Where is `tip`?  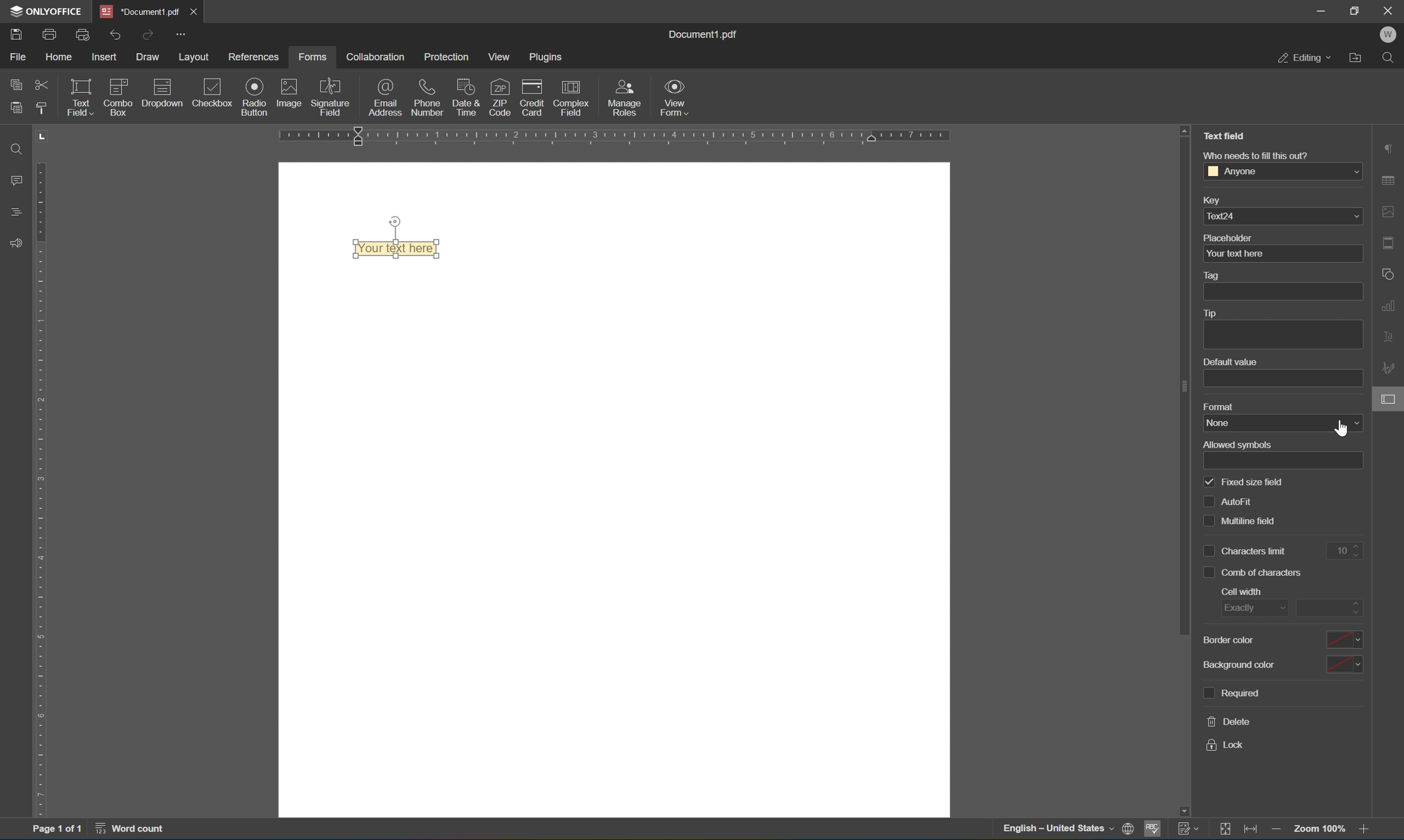 tip is located at coordinates (1209, 313).